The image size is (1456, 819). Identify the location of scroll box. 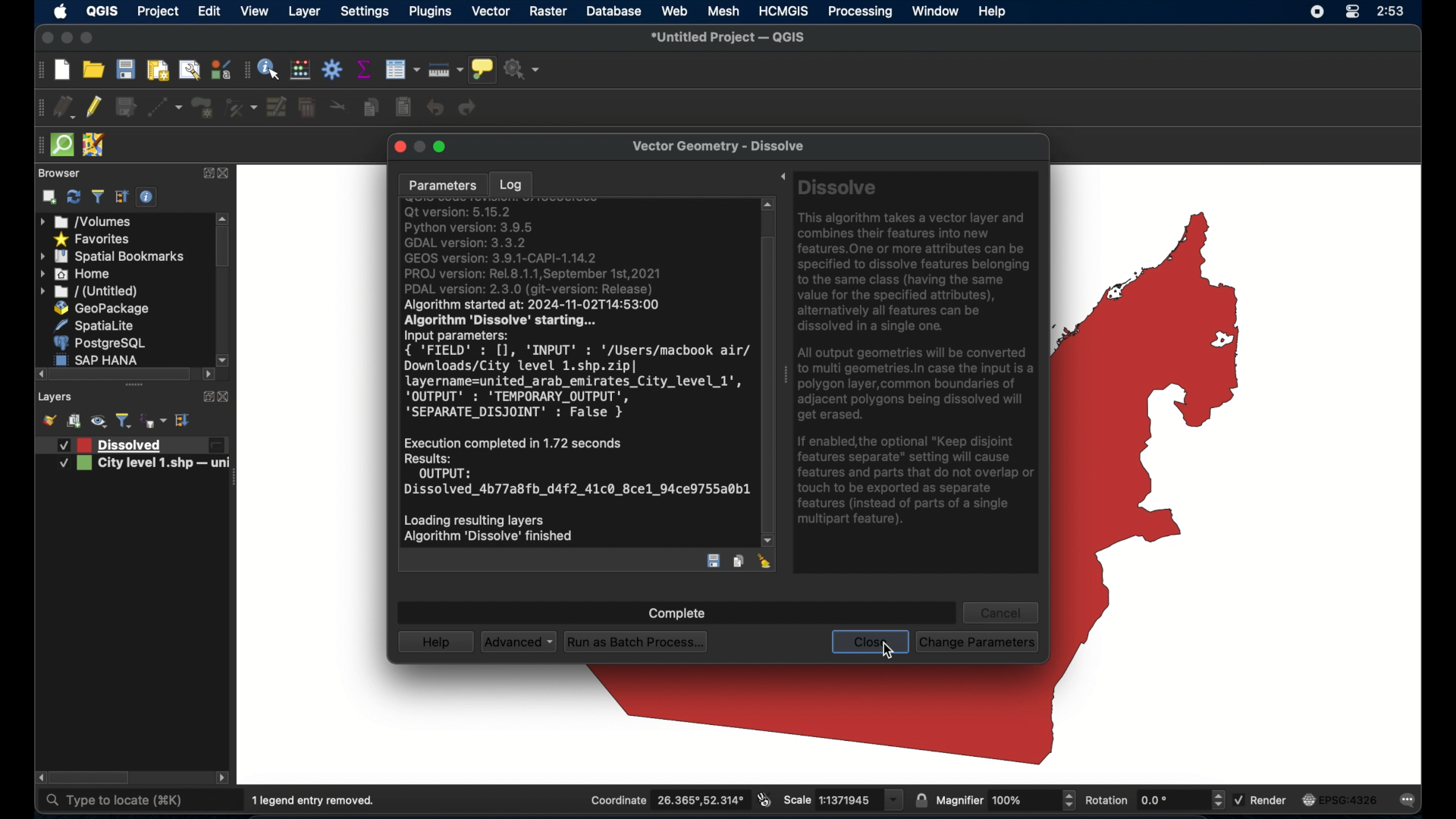
(223, 249).